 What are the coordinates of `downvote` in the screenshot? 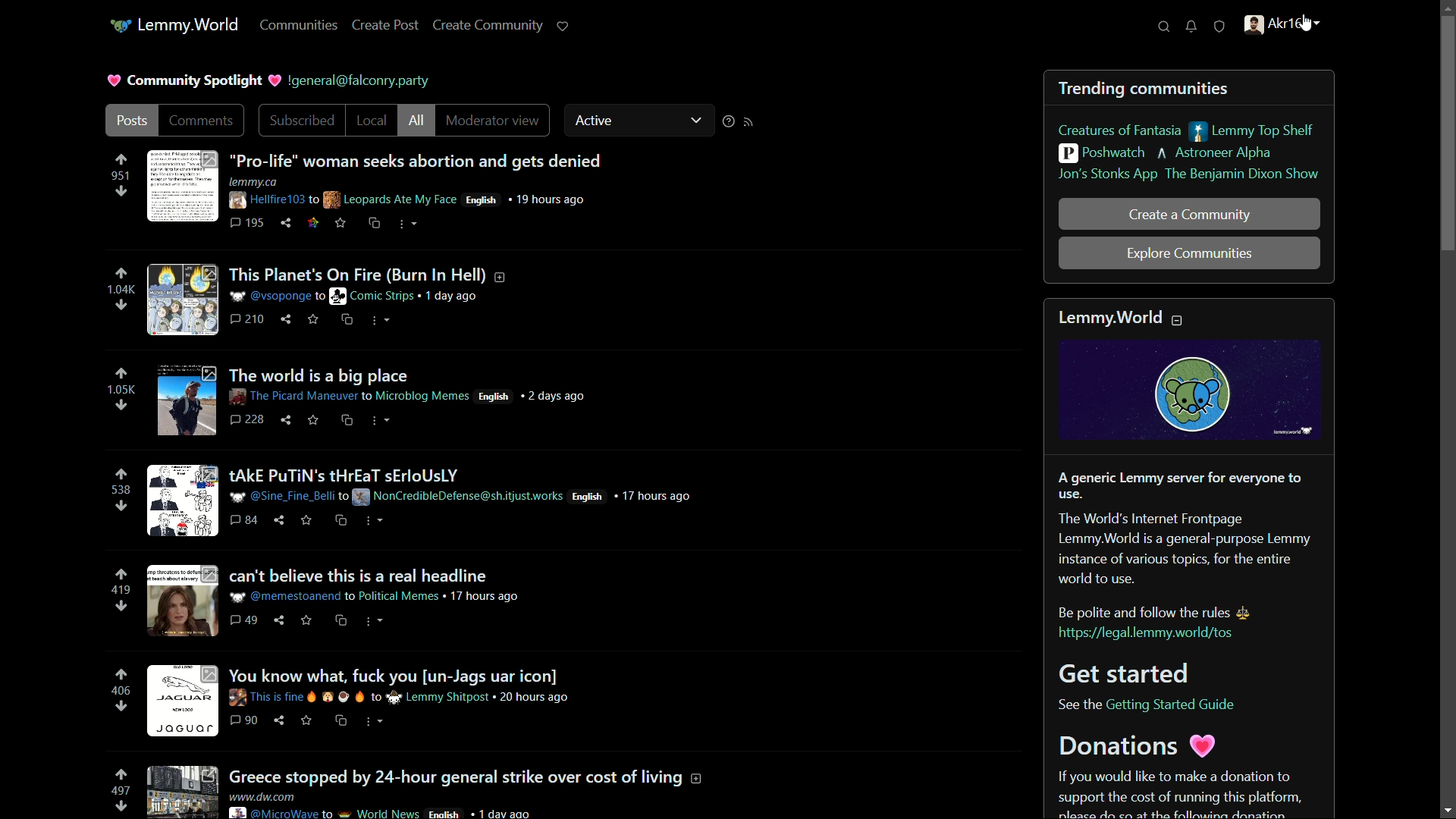 It's located at (121, 806).